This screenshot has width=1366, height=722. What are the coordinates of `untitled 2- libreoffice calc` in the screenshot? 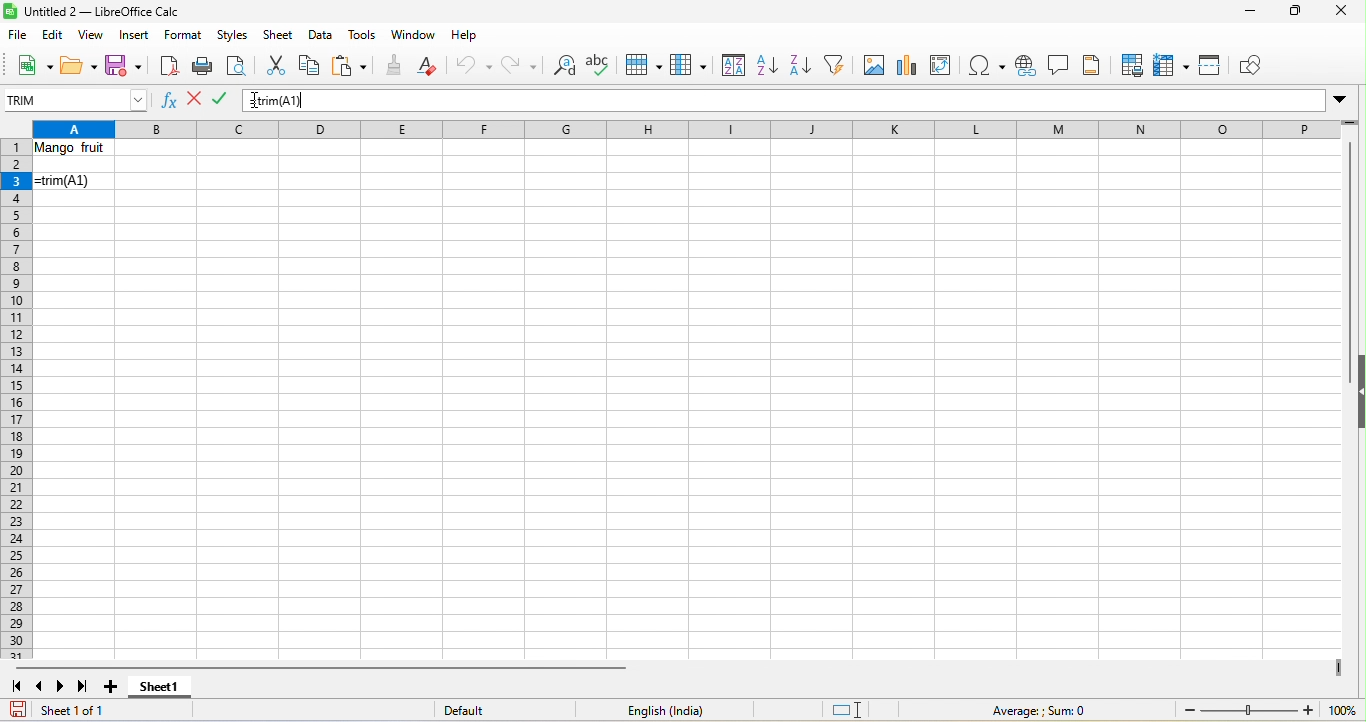 It's located at (98, 11).